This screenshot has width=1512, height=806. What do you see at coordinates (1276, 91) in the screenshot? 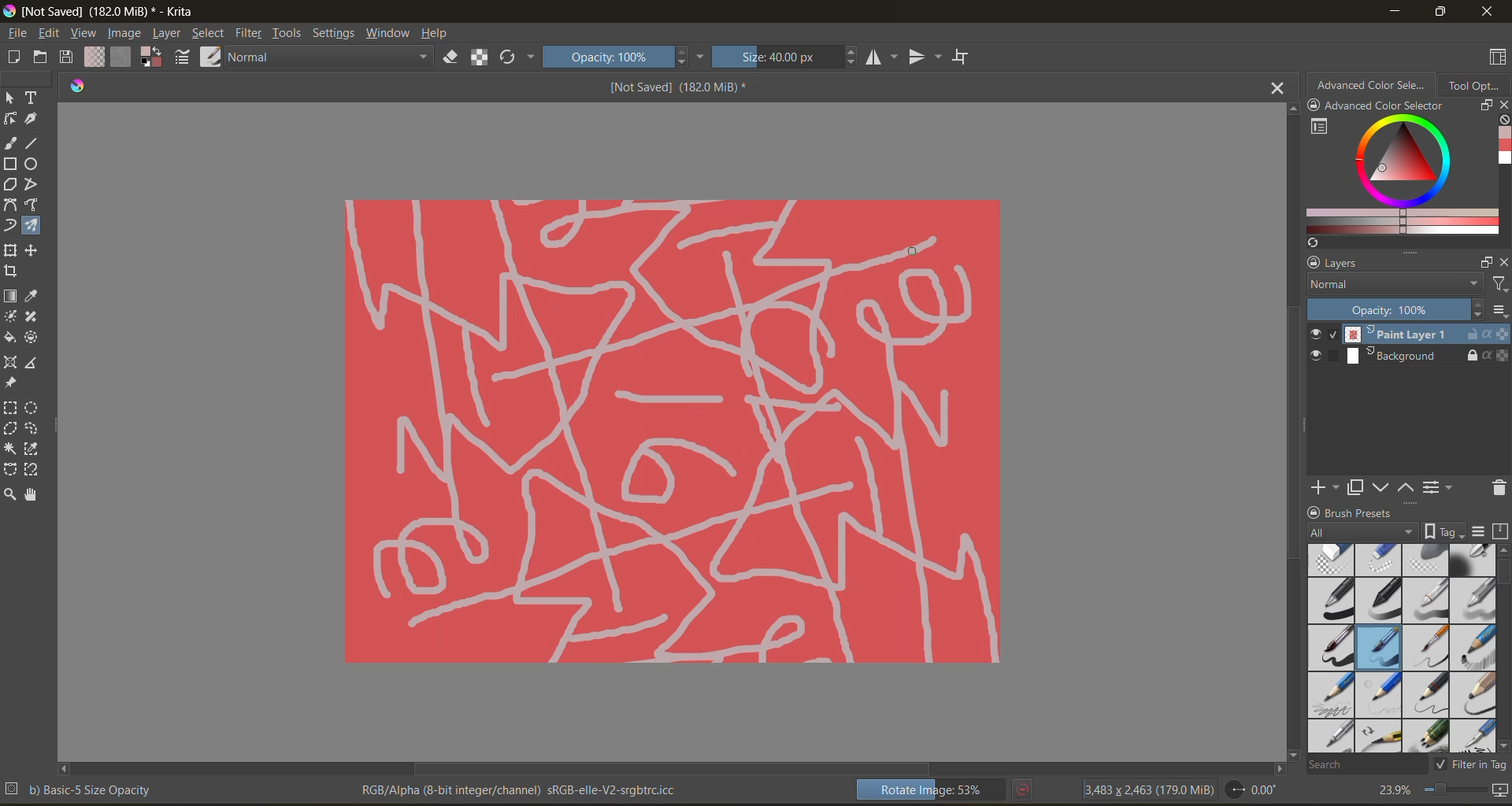
I see `close tab` at bounding box center [1276, 91].